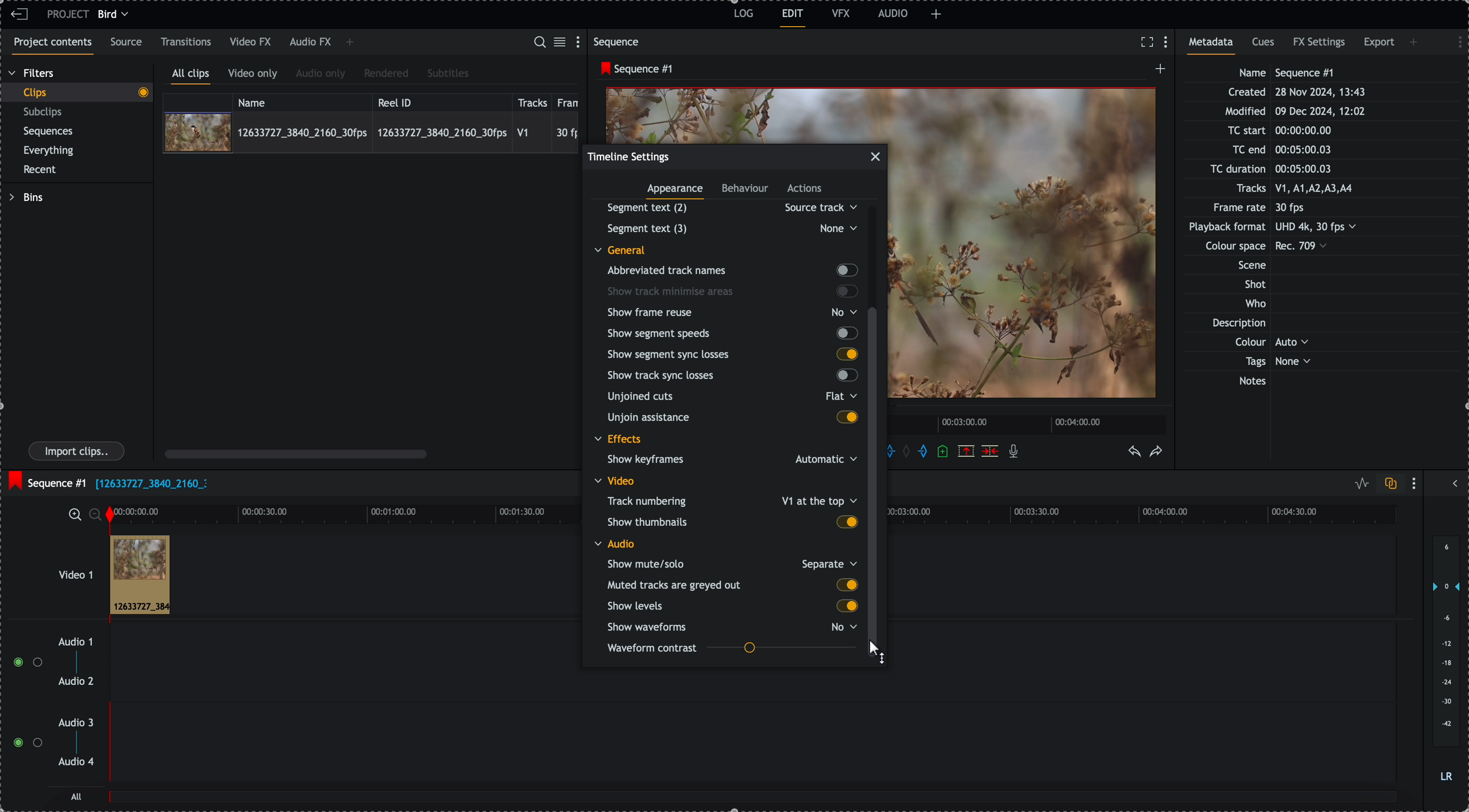 This screenshot has width=1469, height=812. Describe the element at coordinates (42, 170) in the screenshot. I see `recent` at that location.